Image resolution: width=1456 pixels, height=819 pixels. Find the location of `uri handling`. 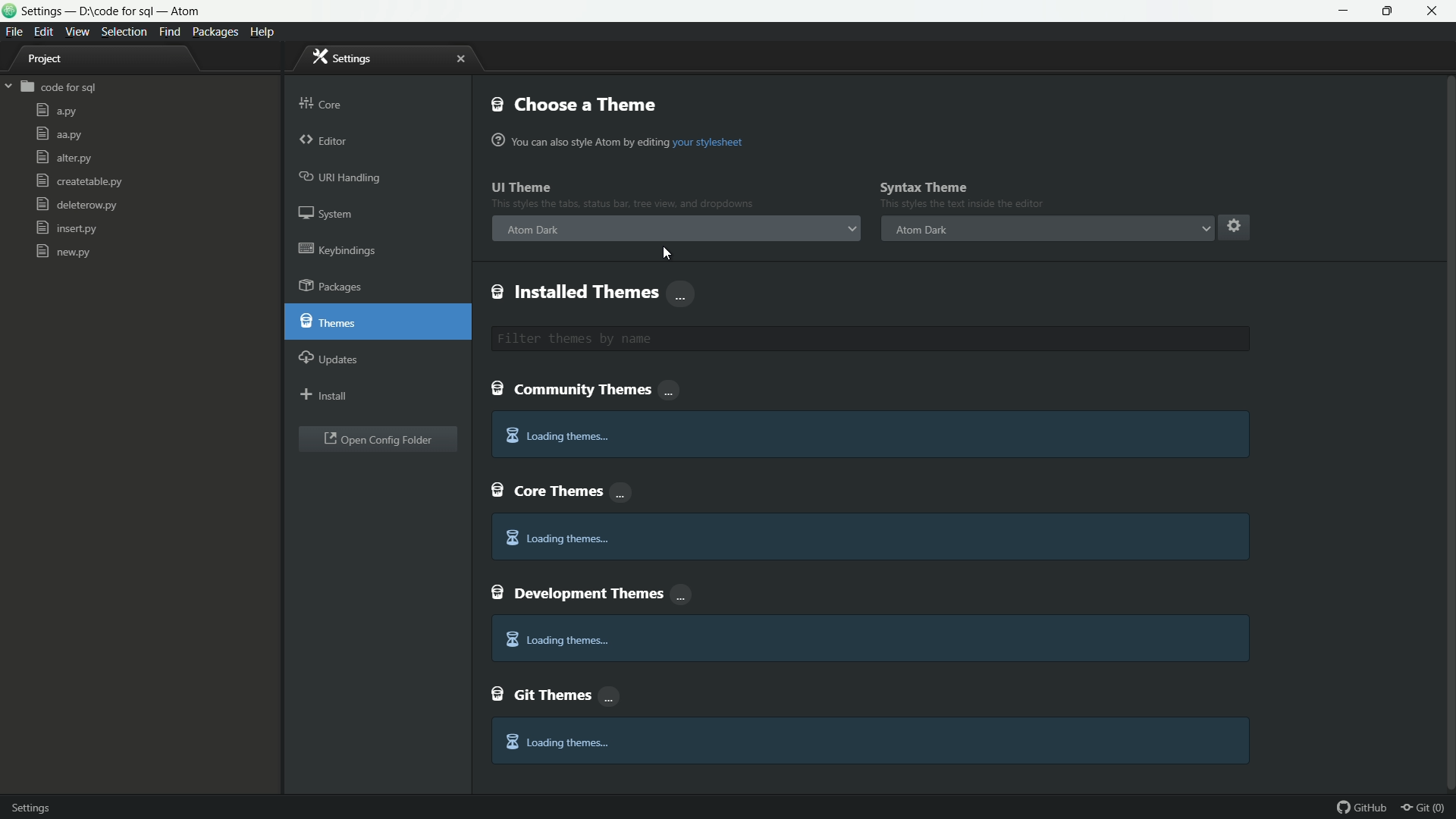

uri handling is located at coordinates (341, 176).